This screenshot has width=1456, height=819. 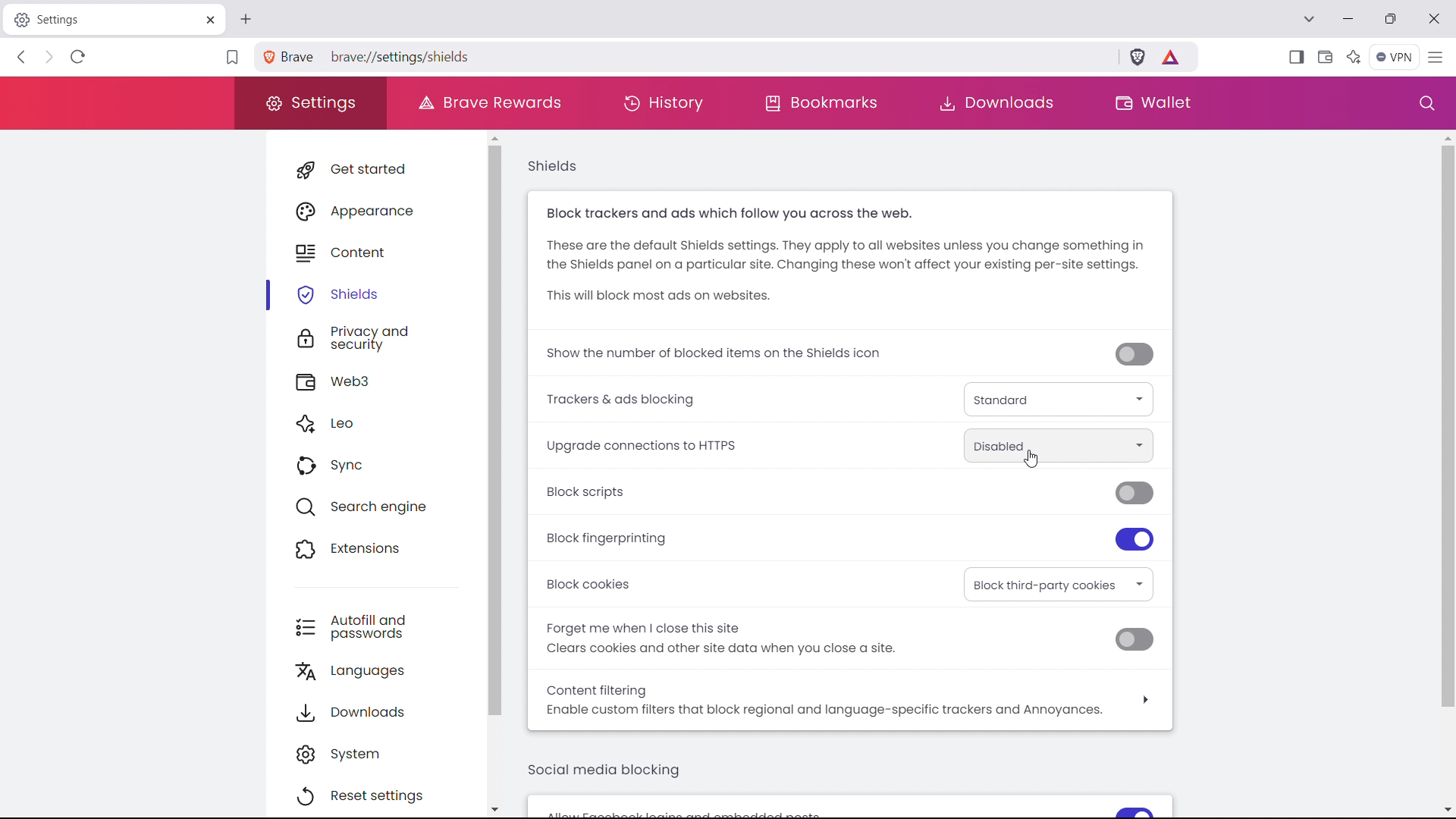 I want to click on Clears cookies and other site data when you close a site., so click(x=730, y=649).